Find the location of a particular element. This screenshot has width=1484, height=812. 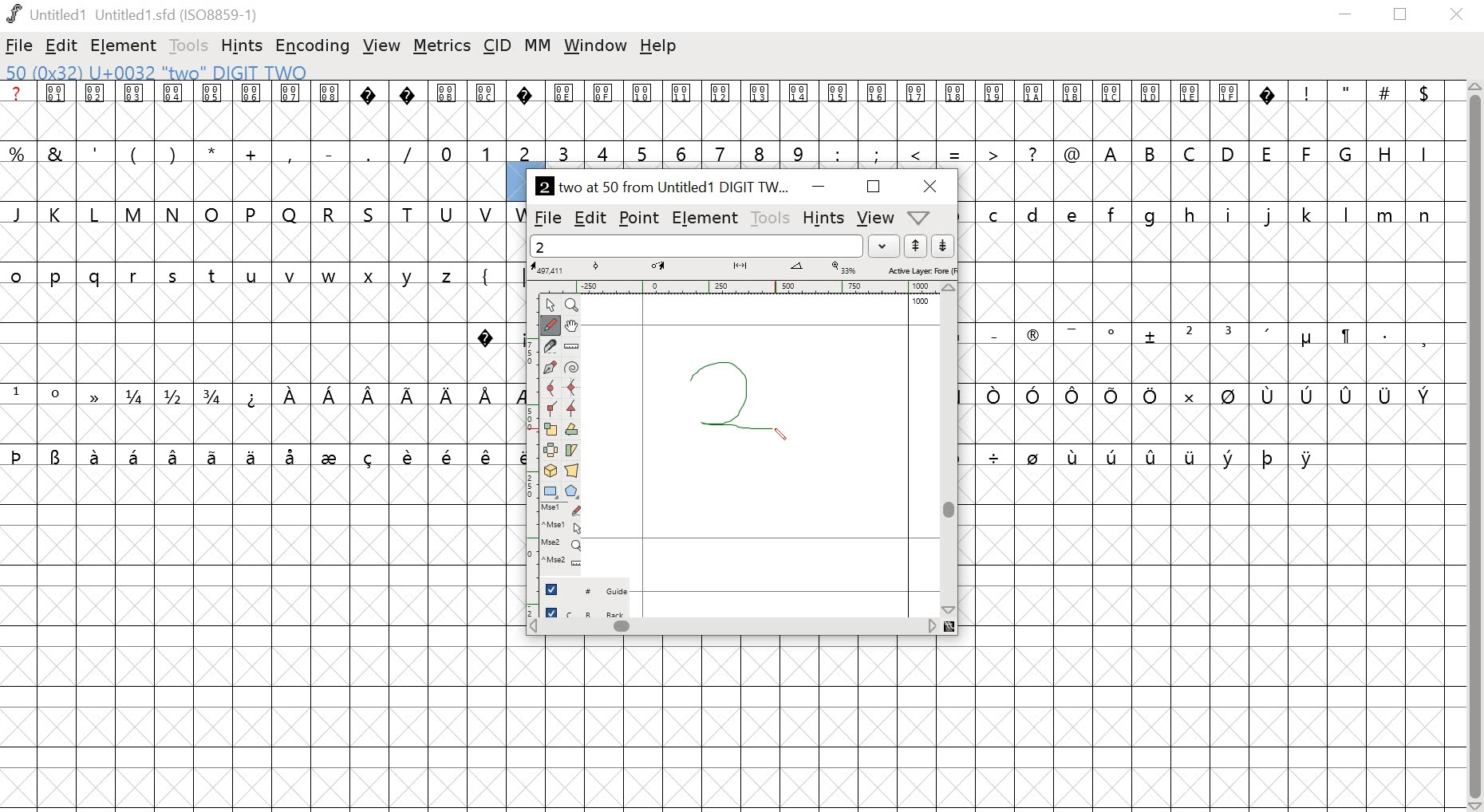

mouse wheel button is located at coordinates (563, 546).